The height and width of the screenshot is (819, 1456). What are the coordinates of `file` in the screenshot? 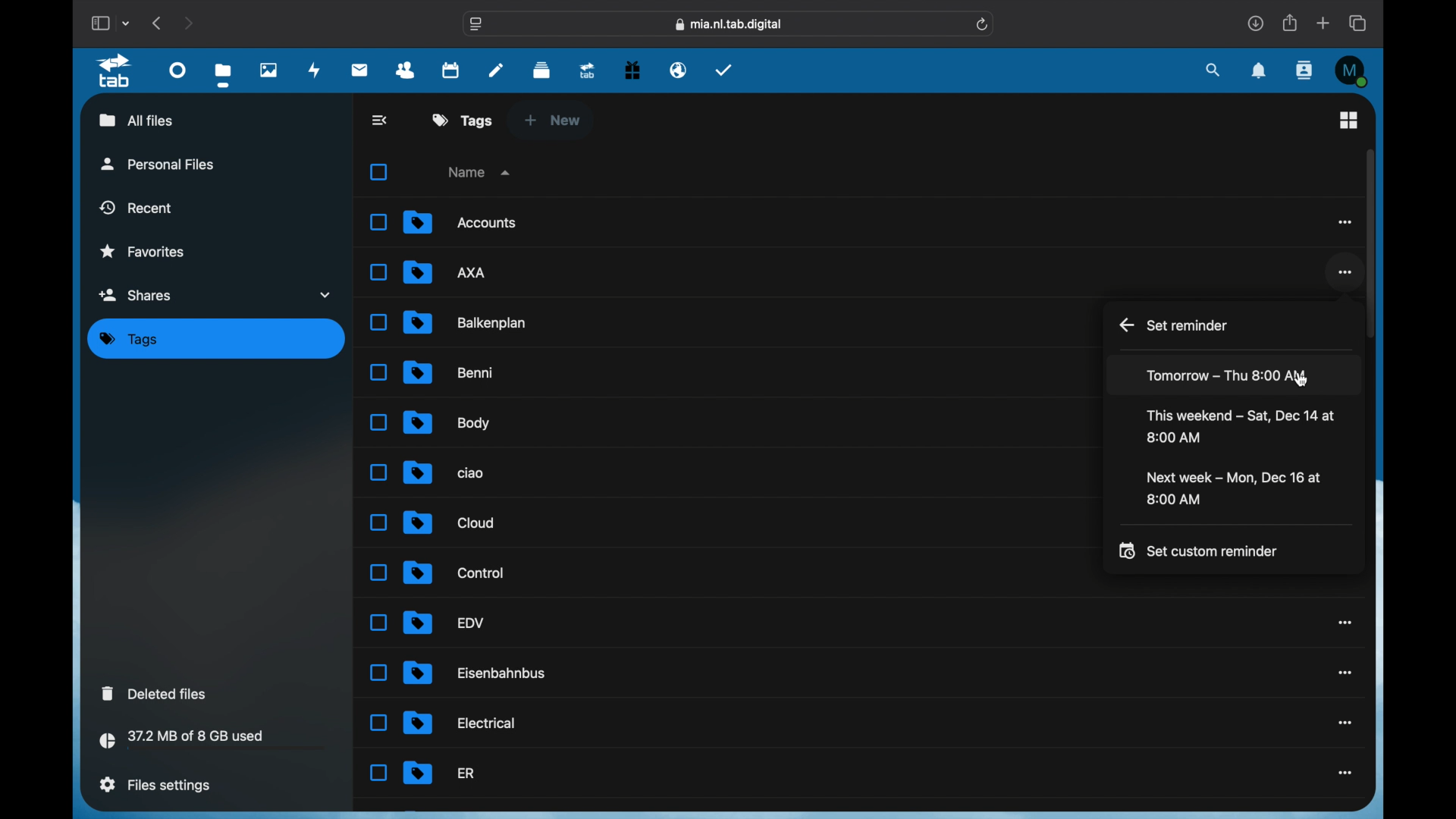 It's located at (447, 423).